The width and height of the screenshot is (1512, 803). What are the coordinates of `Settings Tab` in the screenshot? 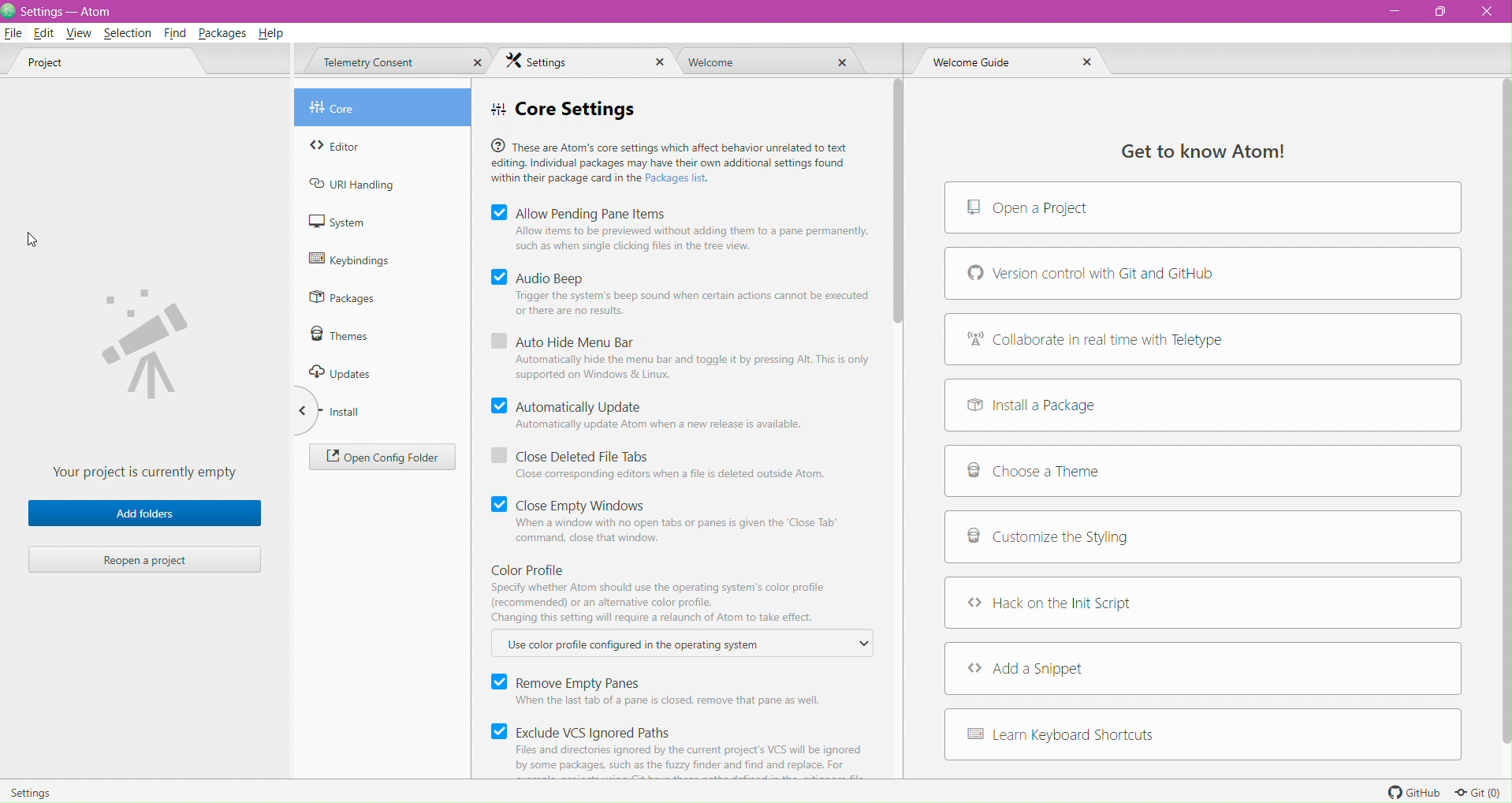 It's located at (552, 62).